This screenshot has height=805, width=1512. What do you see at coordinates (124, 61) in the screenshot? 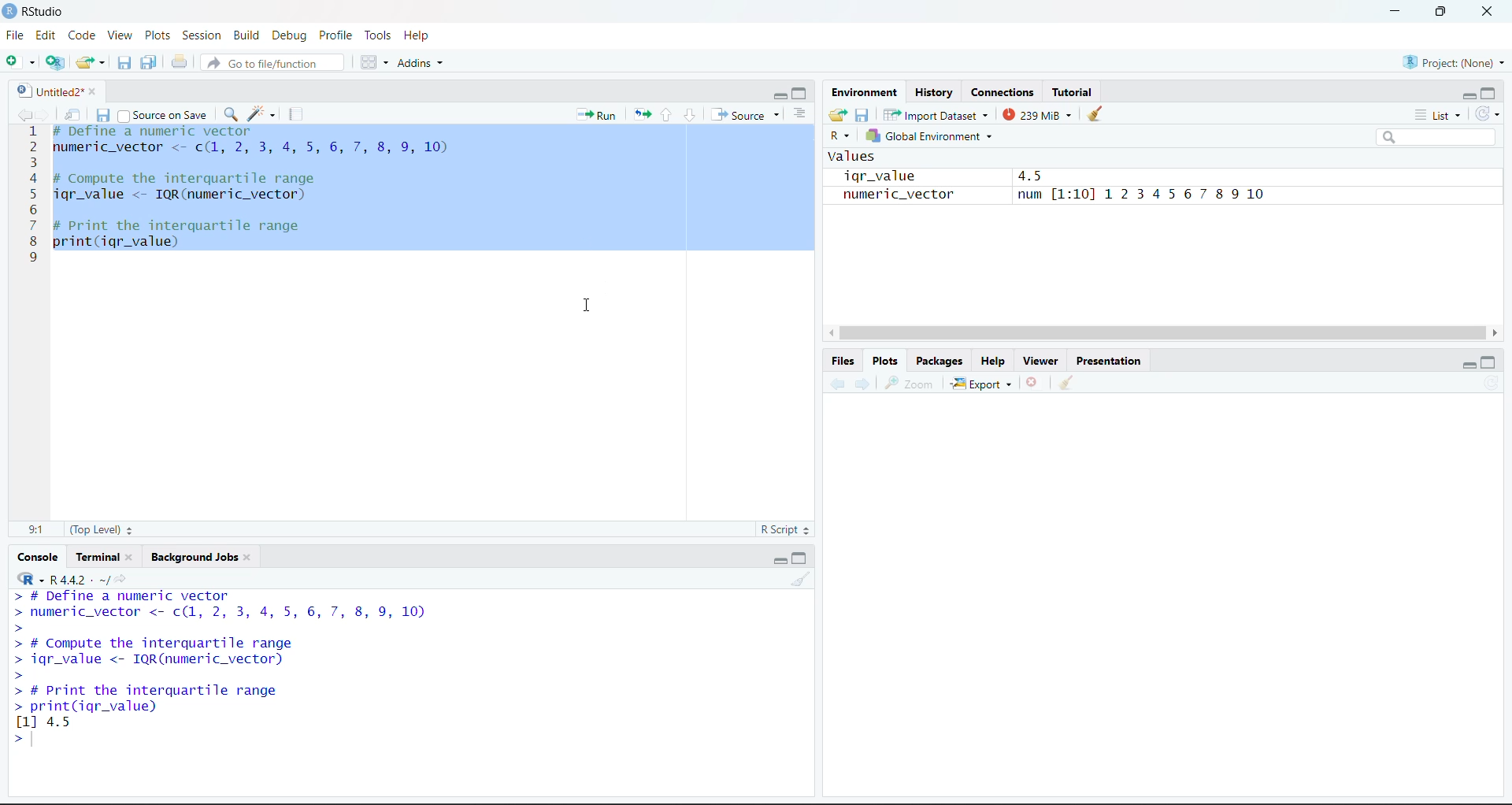
I see `Save current document (Ctrl + S)` at bounding box center [124, 61].